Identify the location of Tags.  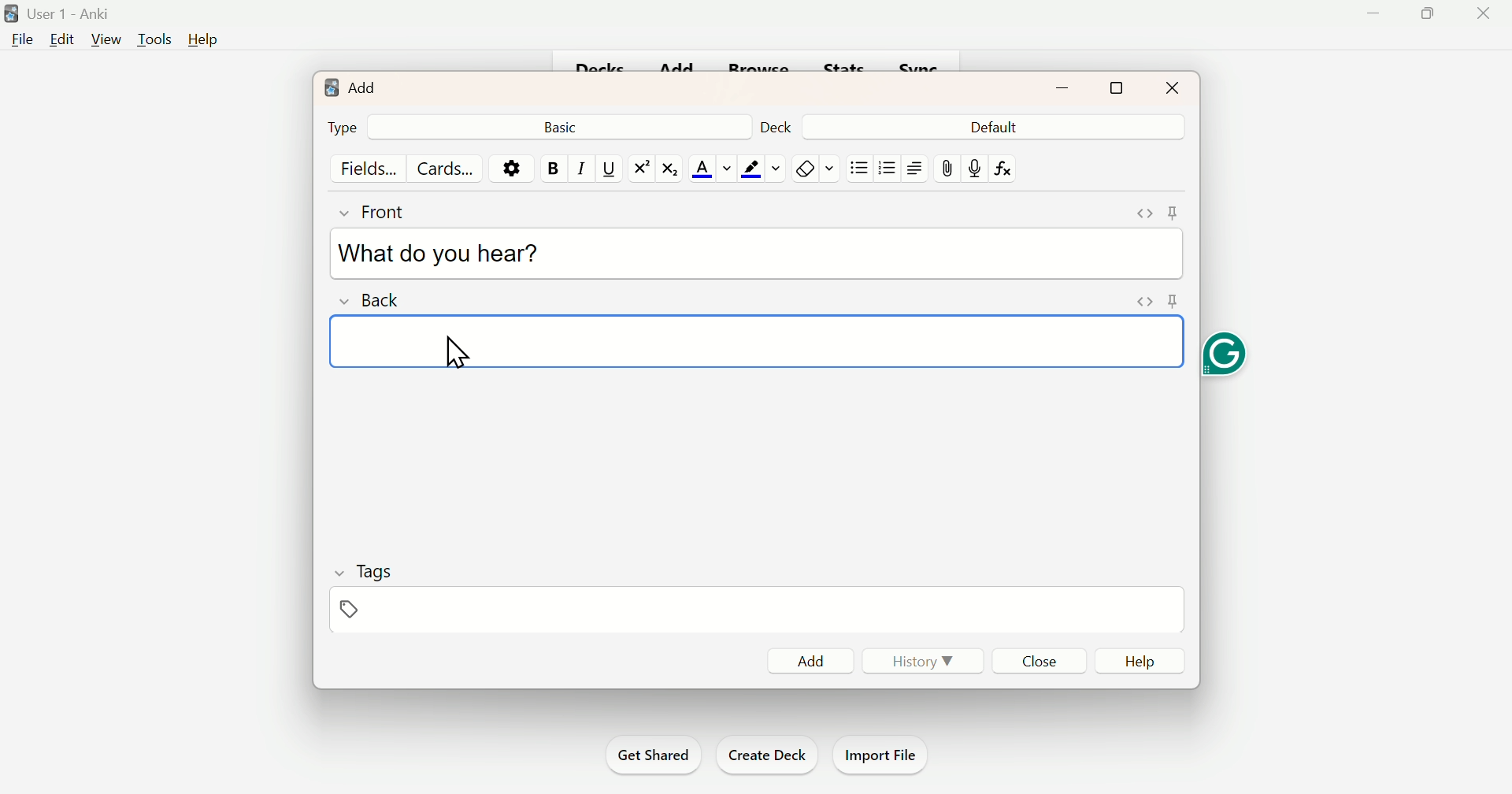
(378, 570).